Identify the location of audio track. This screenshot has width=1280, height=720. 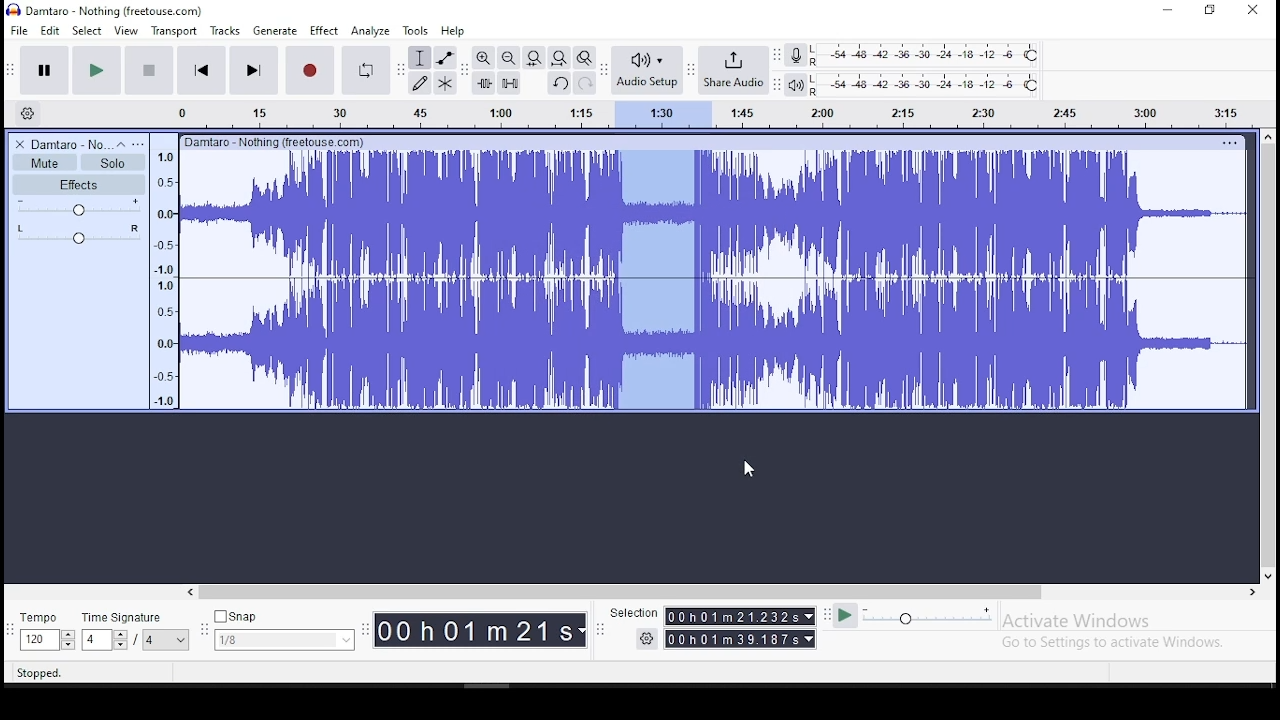
(711, 344).